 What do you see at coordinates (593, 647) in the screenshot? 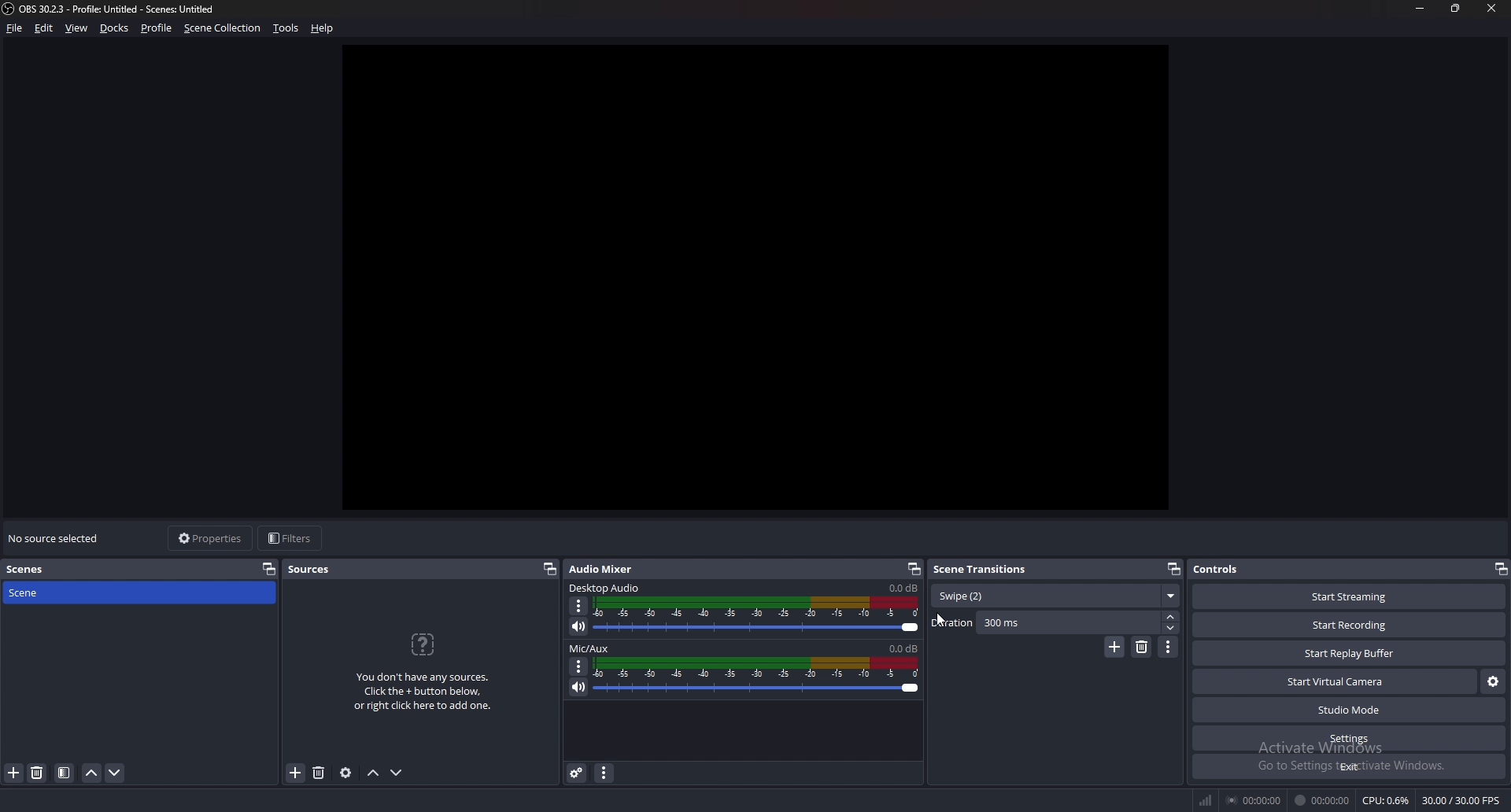
I see `mic/aux` at bounding box center [593, 647].